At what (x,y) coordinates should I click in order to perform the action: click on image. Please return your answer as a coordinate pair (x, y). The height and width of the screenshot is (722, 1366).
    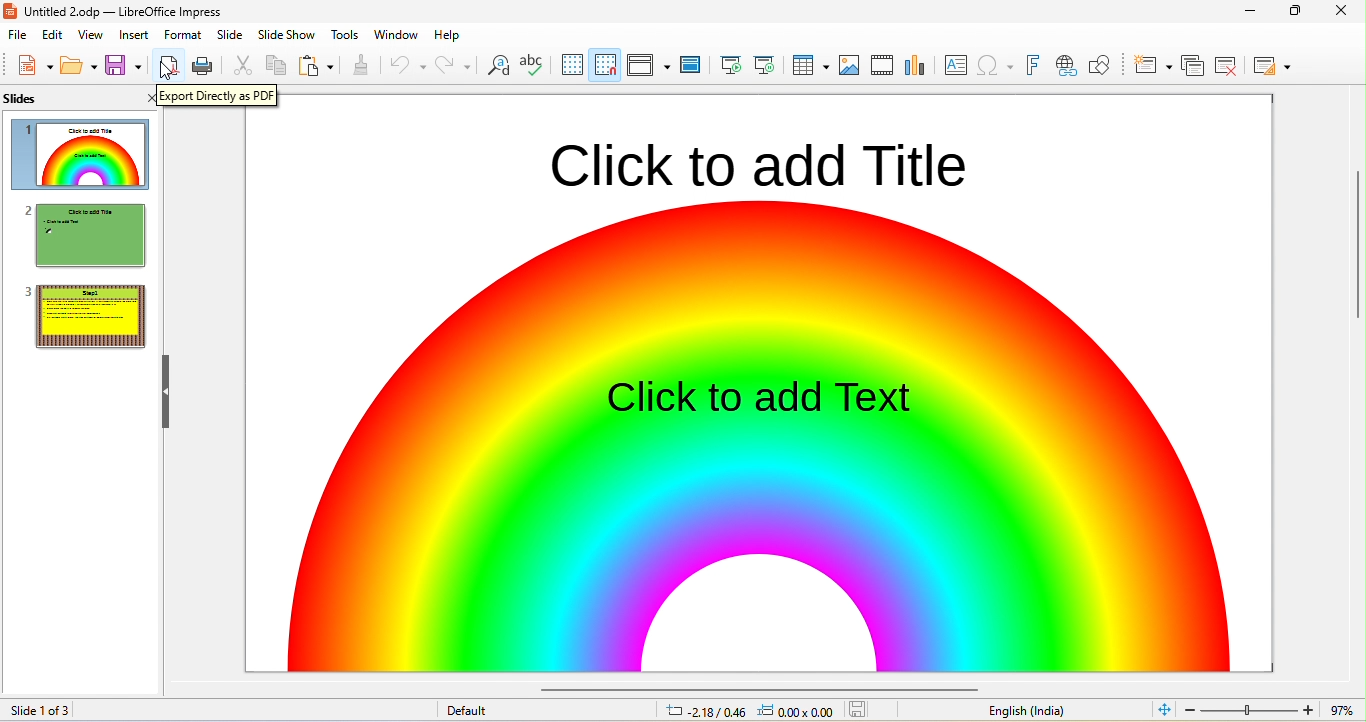
    Looking at the image, I should click on (850, 65).